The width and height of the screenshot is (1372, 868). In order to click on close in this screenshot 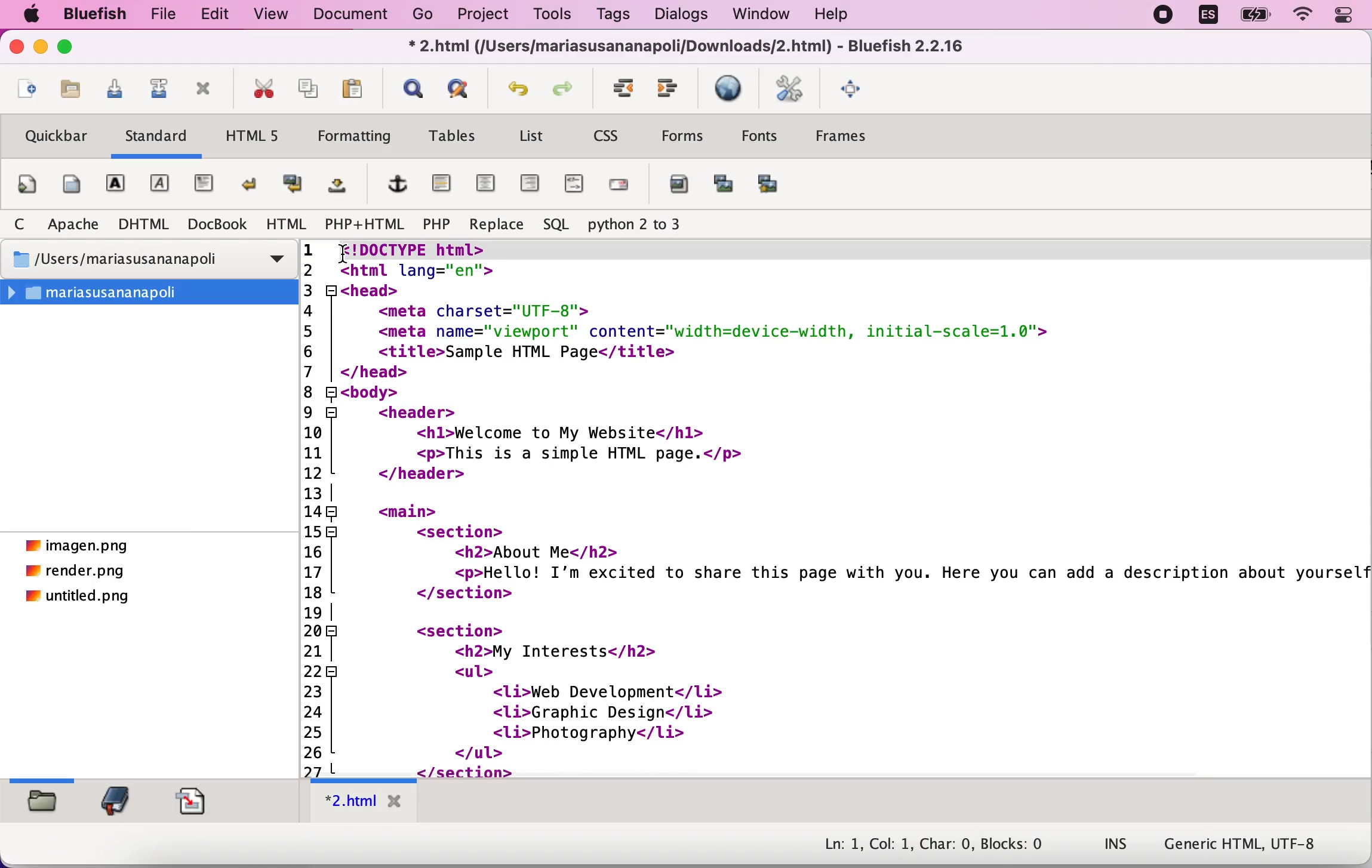, I will do `click(16, 49)`.